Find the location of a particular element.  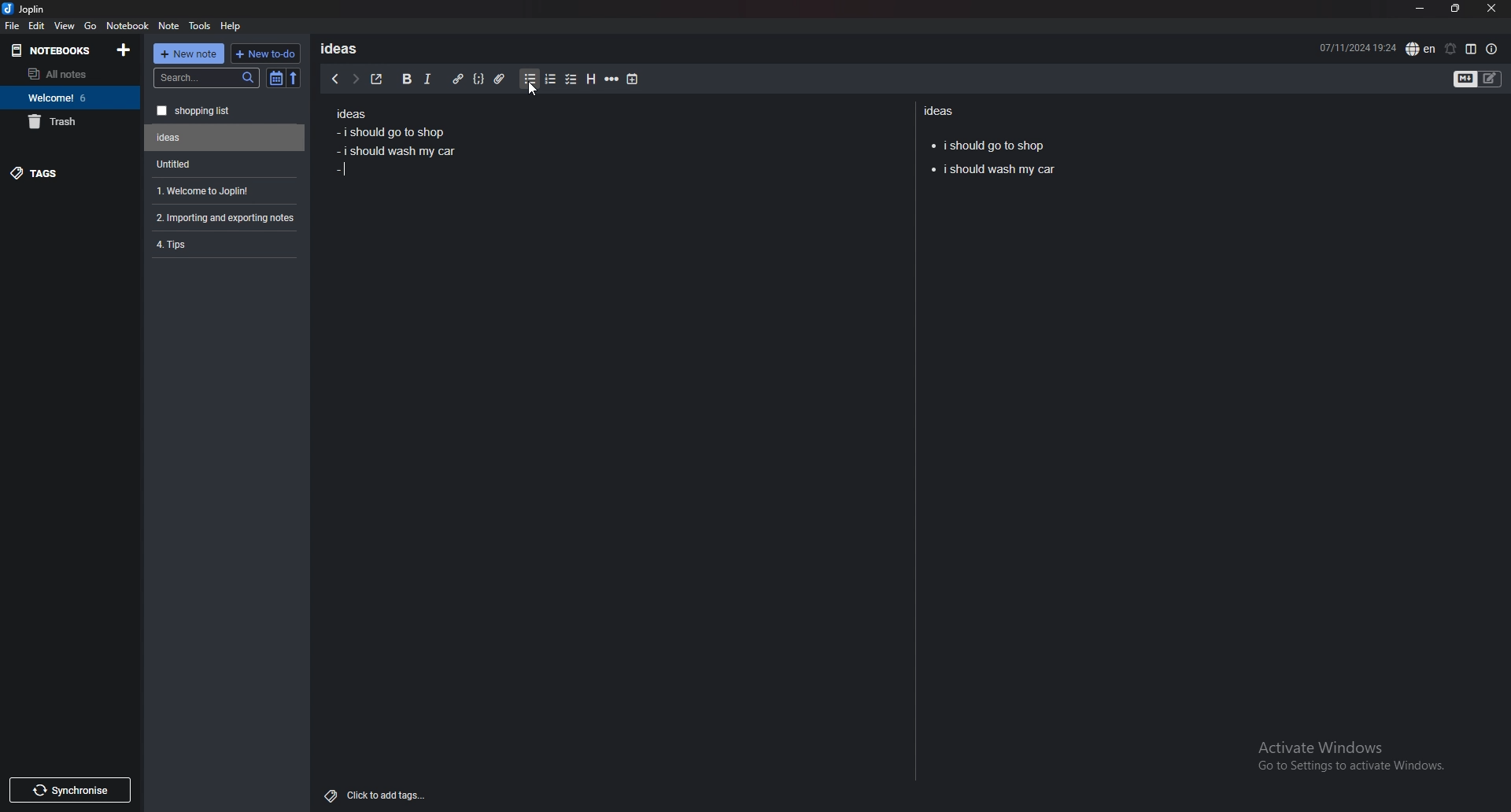

bold is located at coordinates (405, 79).